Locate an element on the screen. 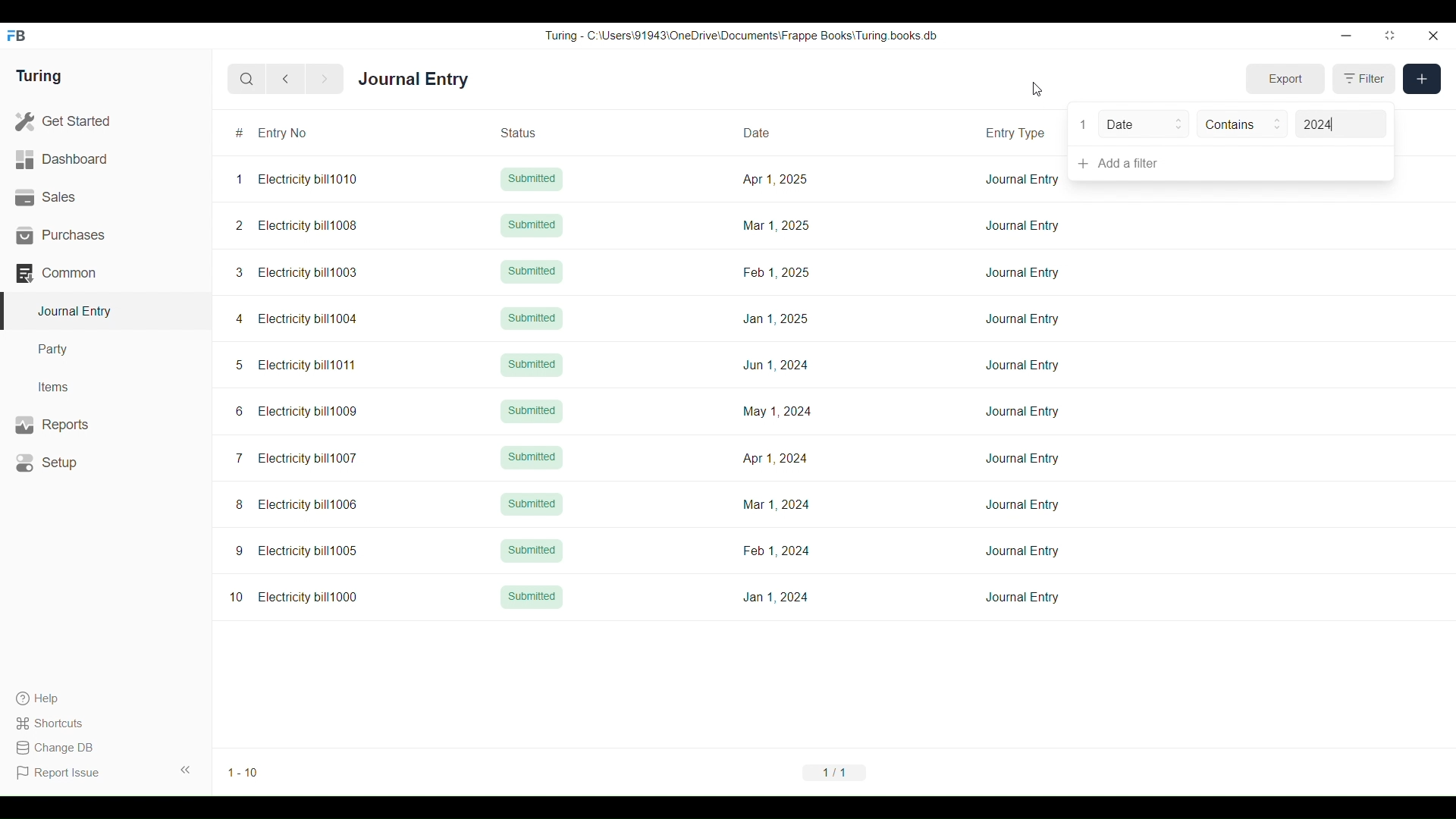  Submitted is located at coordinates (532, 365).